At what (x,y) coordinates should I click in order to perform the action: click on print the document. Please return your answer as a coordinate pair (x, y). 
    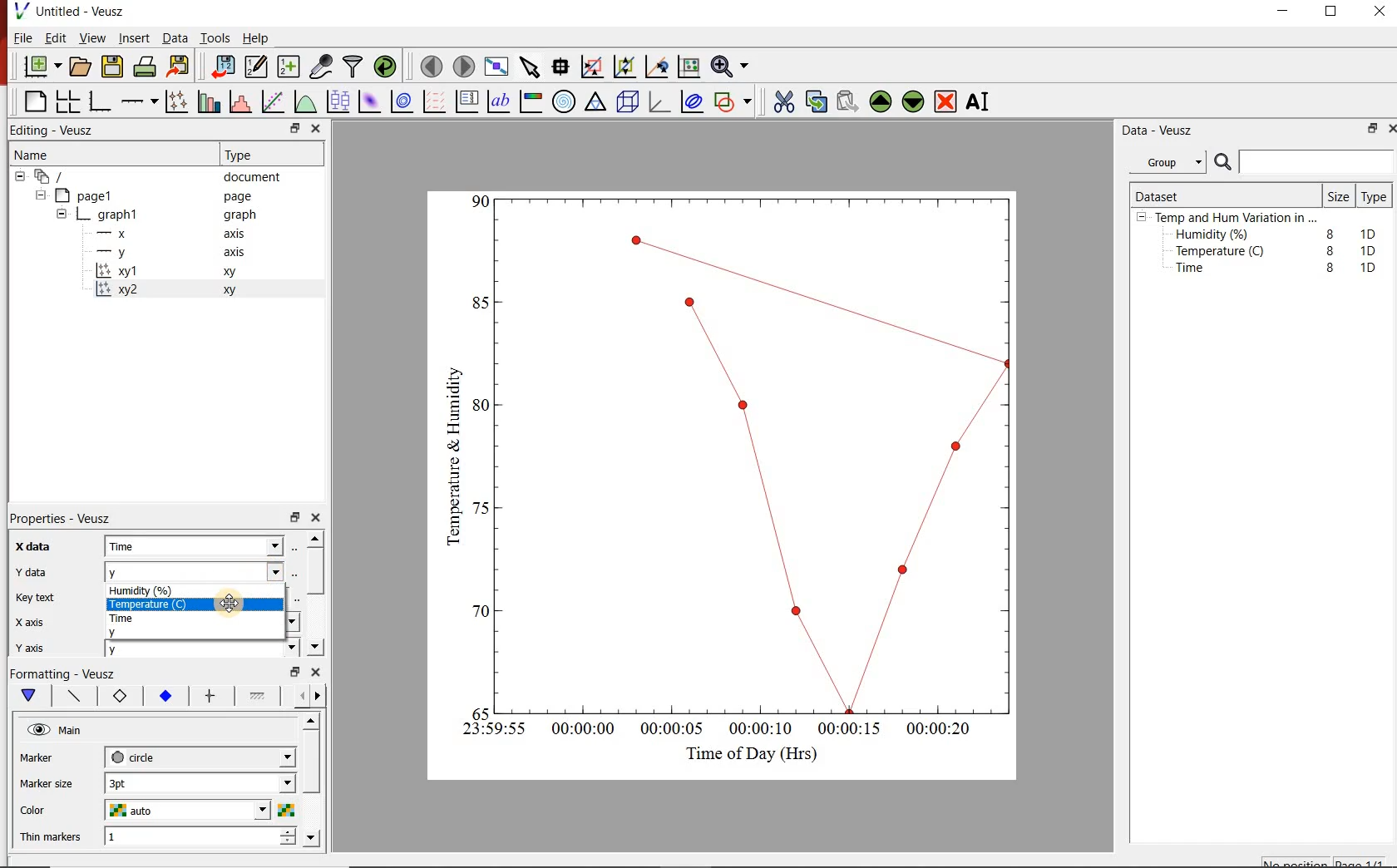
    Looking at the image, I should click on (146, 69).